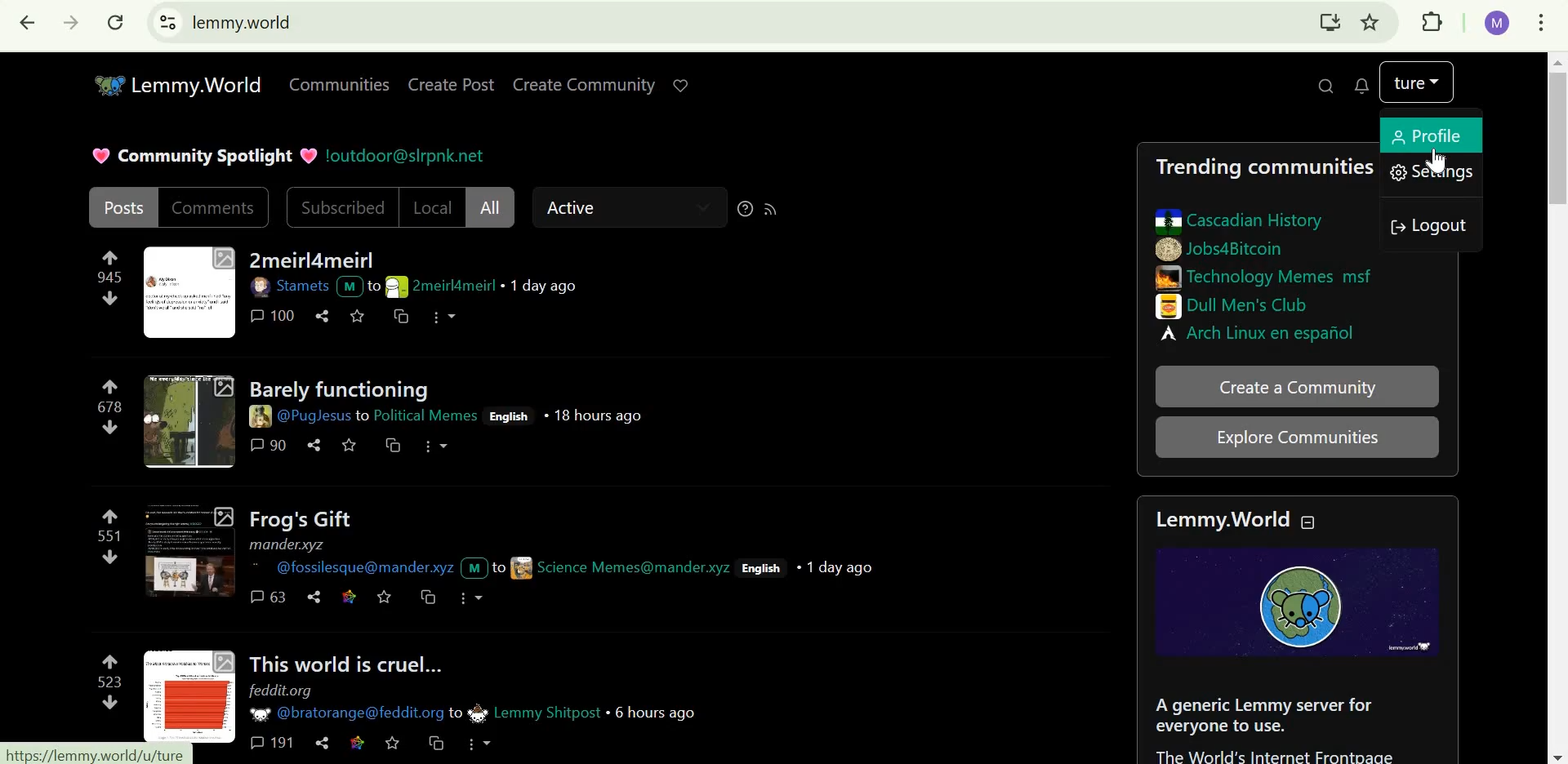  What do you see at coordinates (544, 286) in the screenshot?
I see `1 day ago` at bounding box center [544, 286].